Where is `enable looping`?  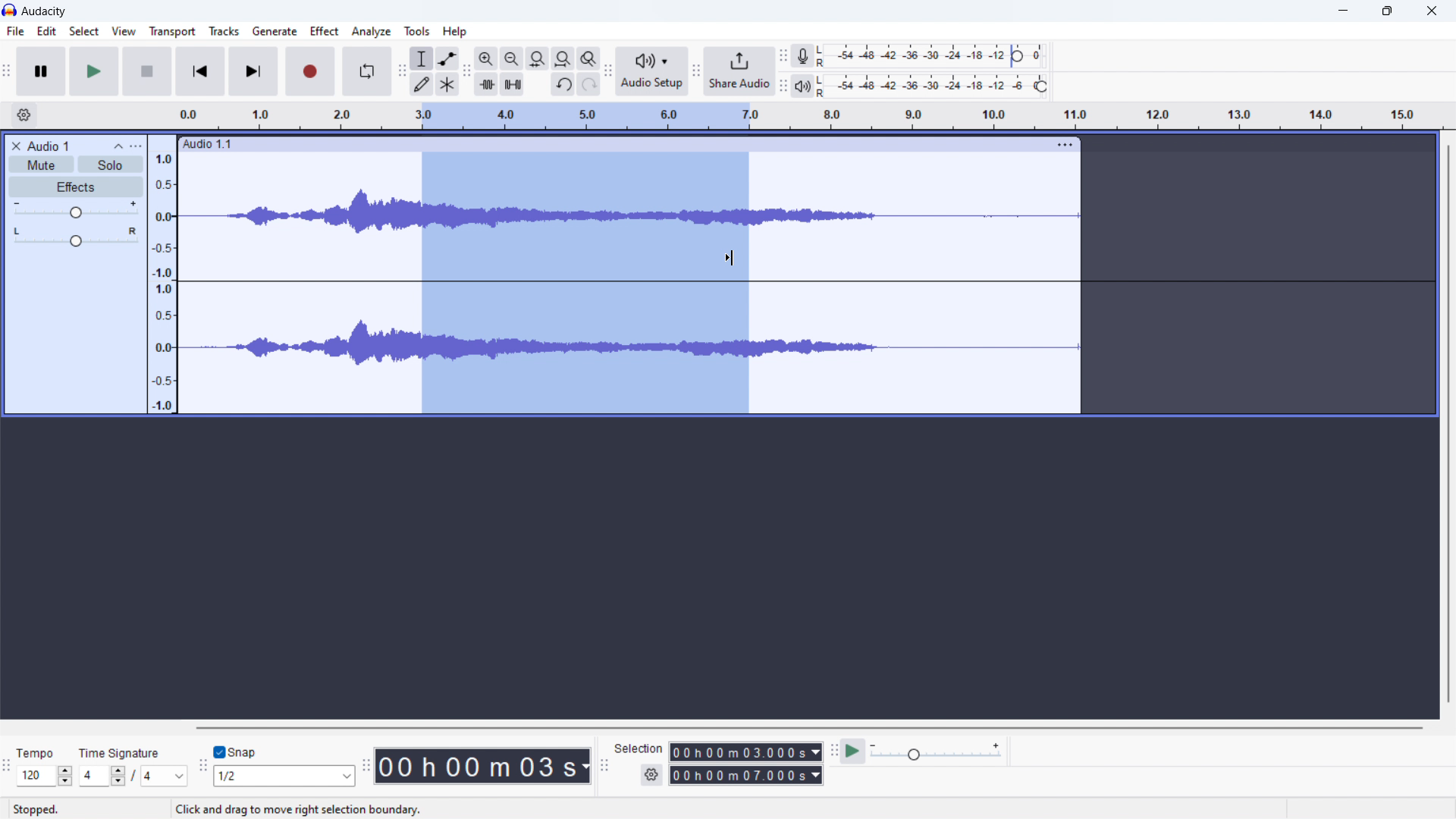
enable looping is located at coordinates (366, 72).